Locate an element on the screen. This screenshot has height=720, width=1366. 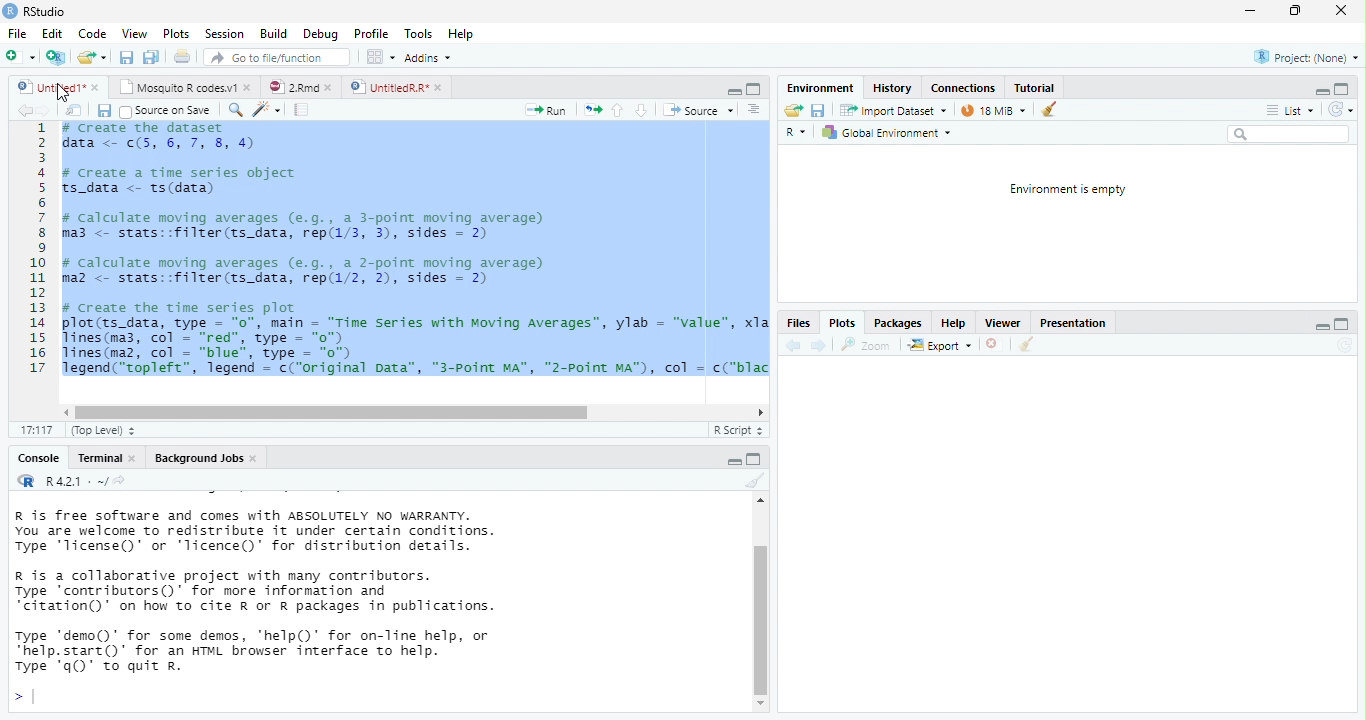
close is located at coordinates (1340, 11).